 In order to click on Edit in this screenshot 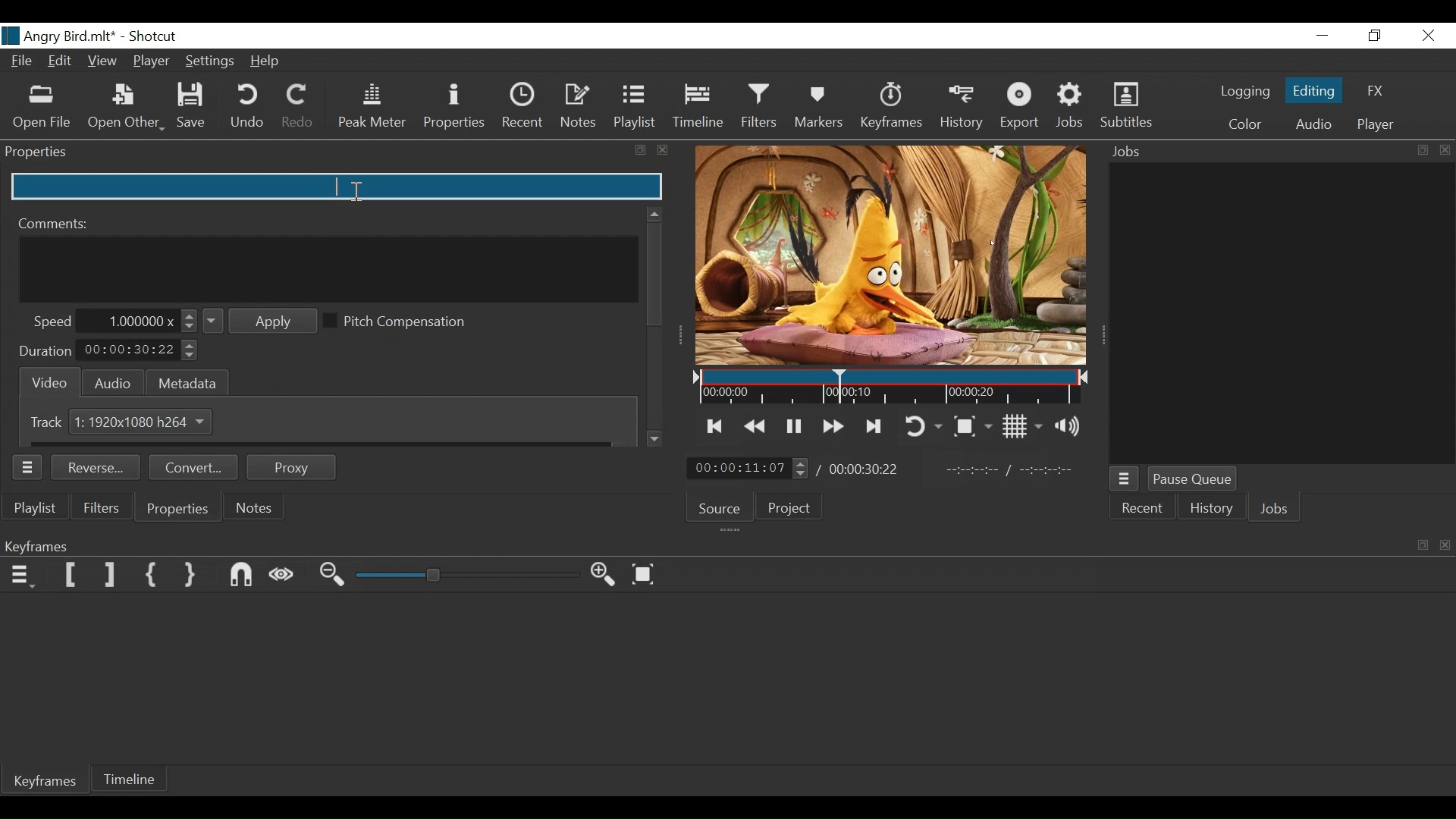, I will do `click(61, 63)`.